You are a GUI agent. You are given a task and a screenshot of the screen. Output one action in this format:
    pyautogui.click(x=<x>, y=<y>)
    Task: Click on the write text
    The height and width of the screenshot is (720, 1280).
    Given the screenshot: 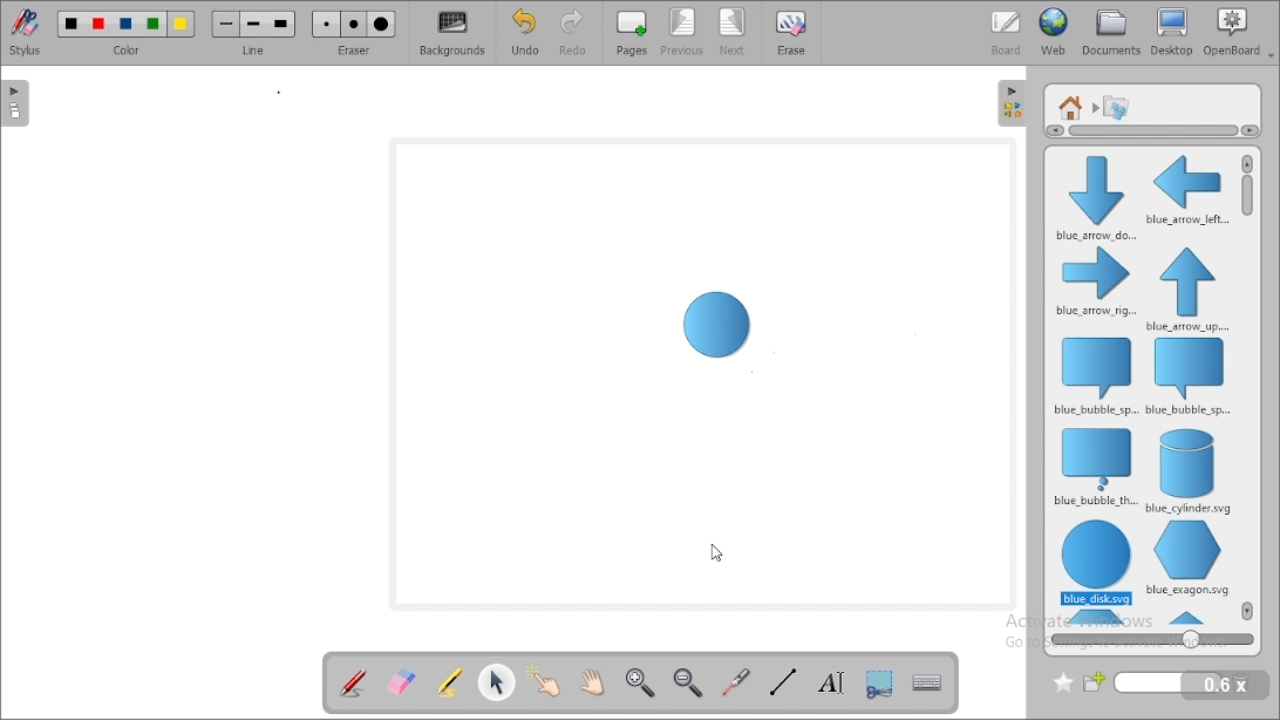 What is the action you would take?
    pyautogui.click(x=830, y=681)
    